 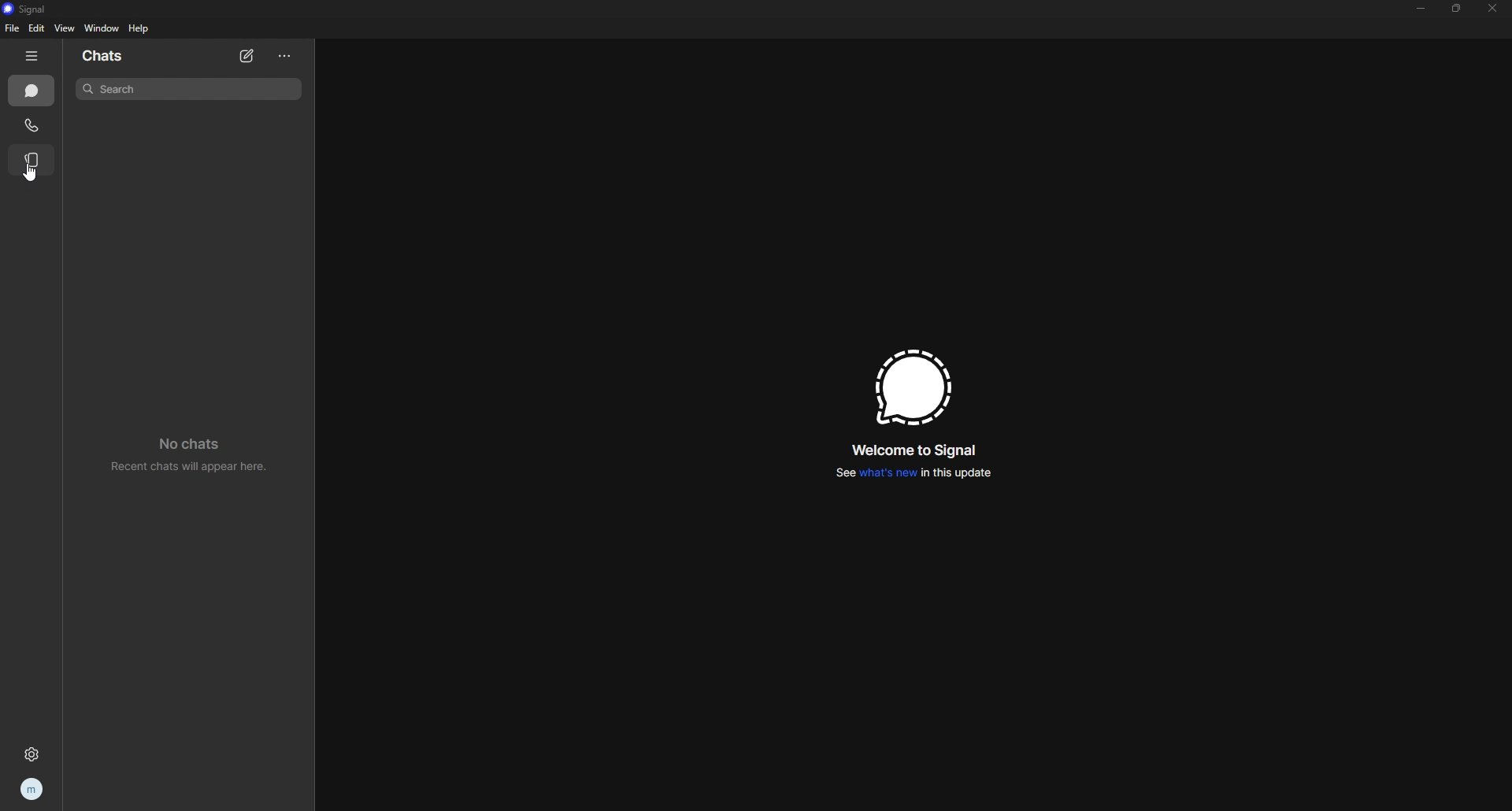 I want to click on no chats recent chats will appear here, so click(x=189, y=452).